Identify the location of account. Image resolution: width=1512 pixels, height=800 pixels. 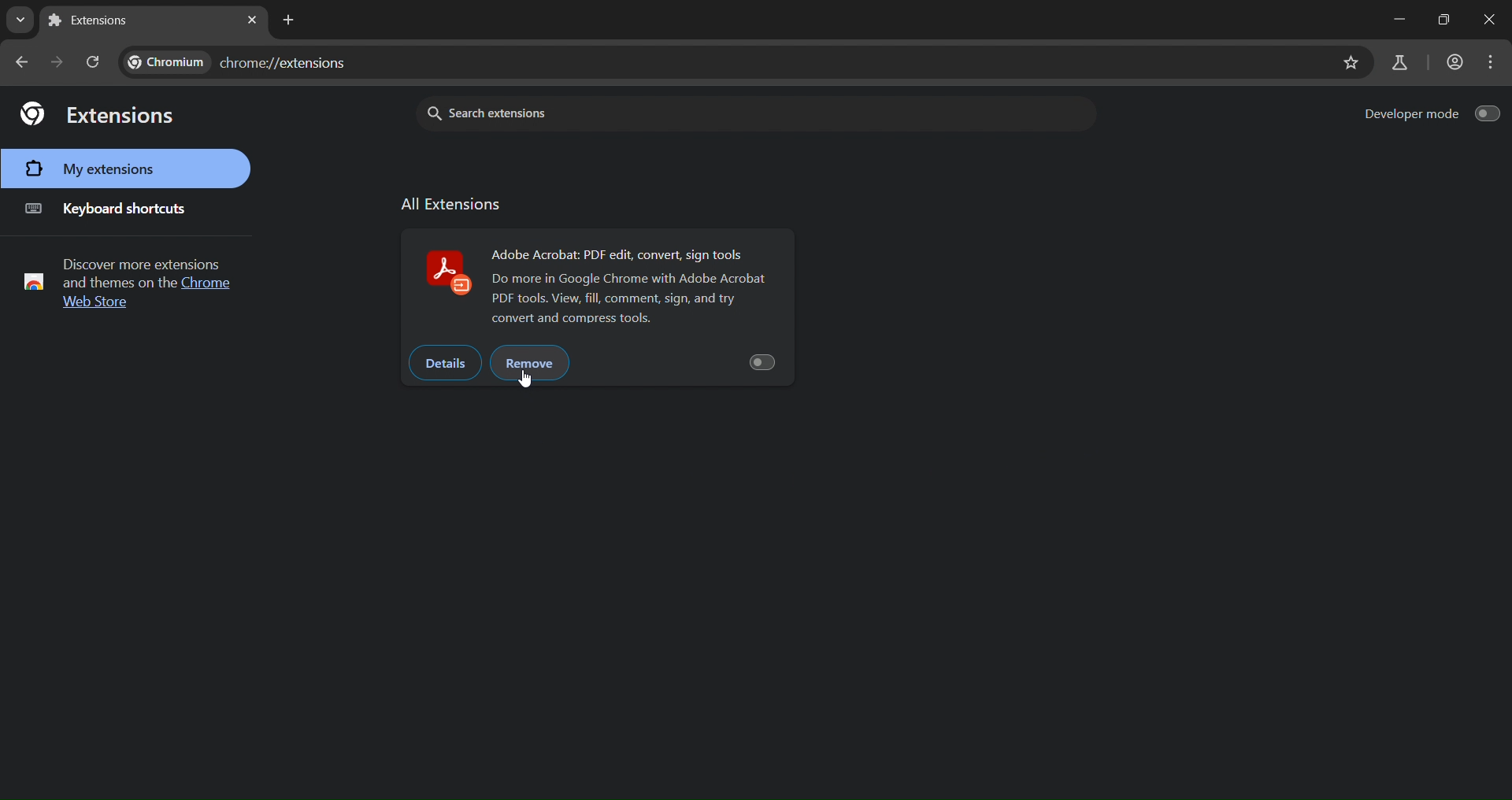
(1455, 60).